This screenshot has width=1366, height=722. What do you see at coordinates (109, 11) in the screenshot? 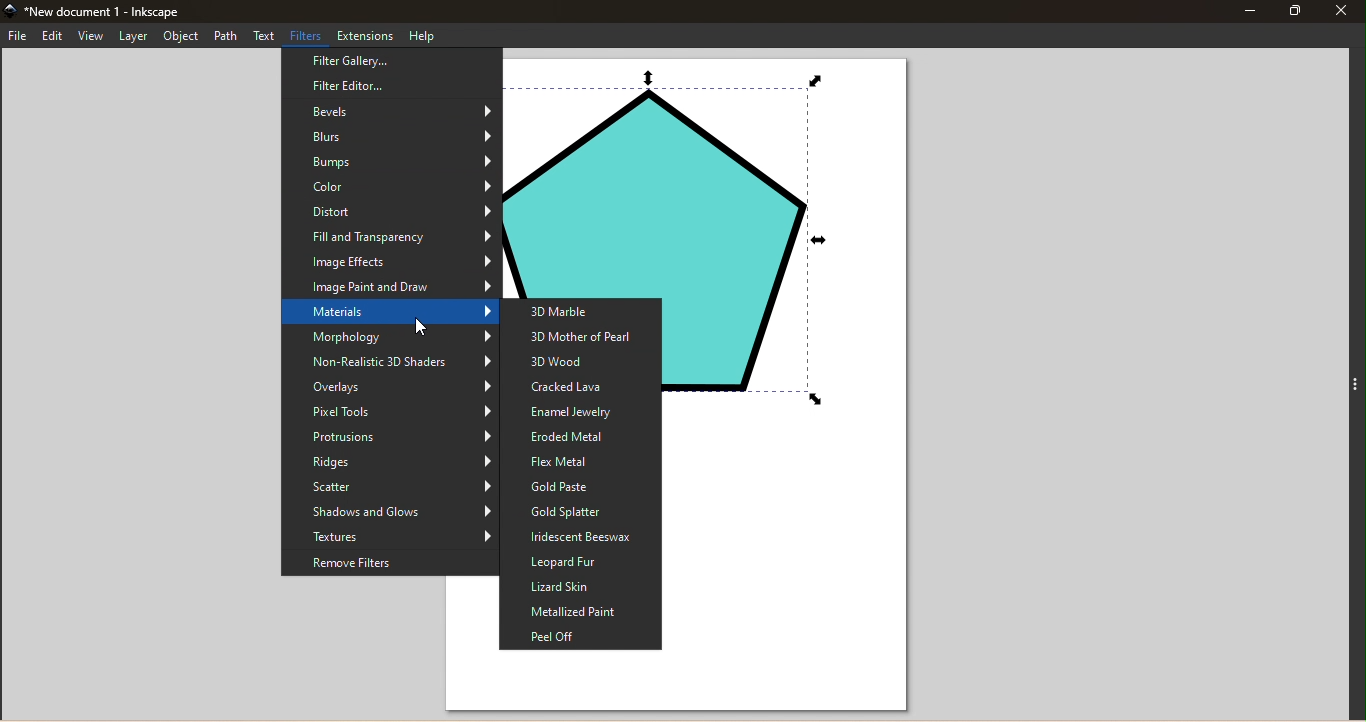
I see `New document 1 - Inkscape` at bounding box center [109, 11].